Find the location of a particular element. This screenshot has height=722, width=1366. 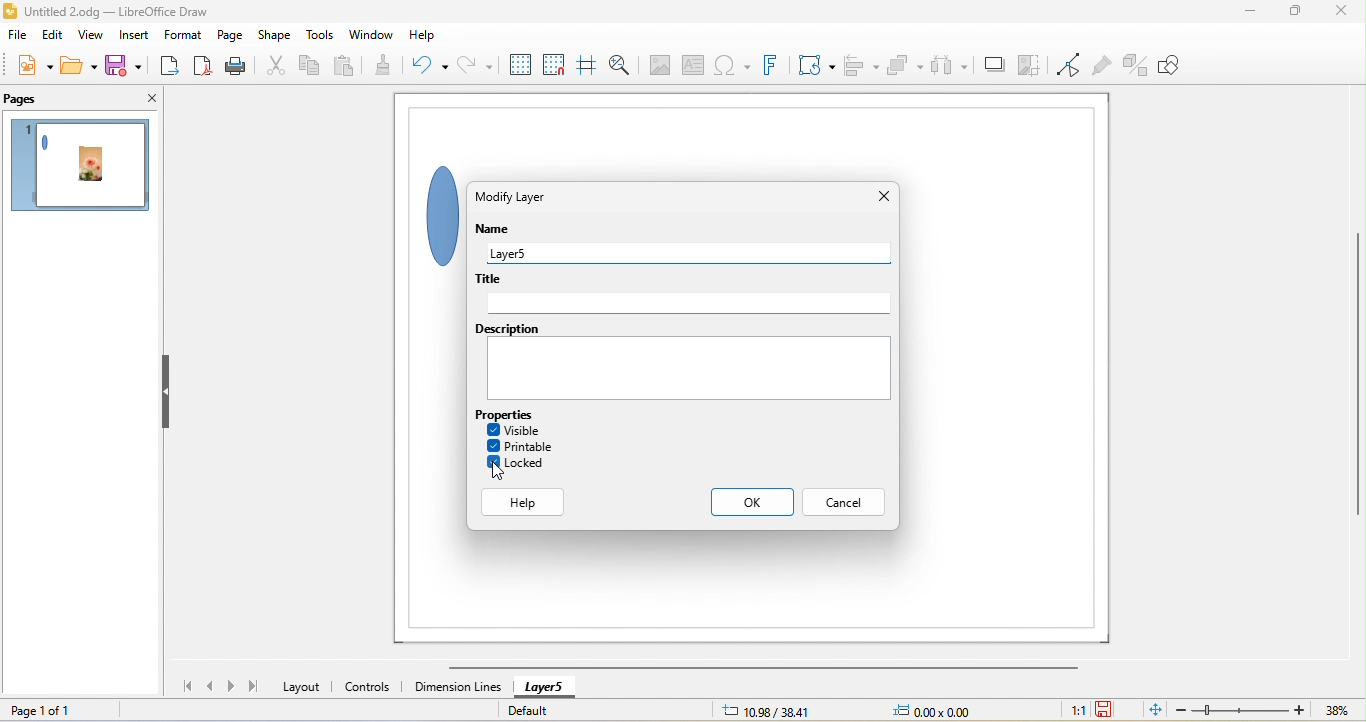

controls is located at coordinates (370, 688).